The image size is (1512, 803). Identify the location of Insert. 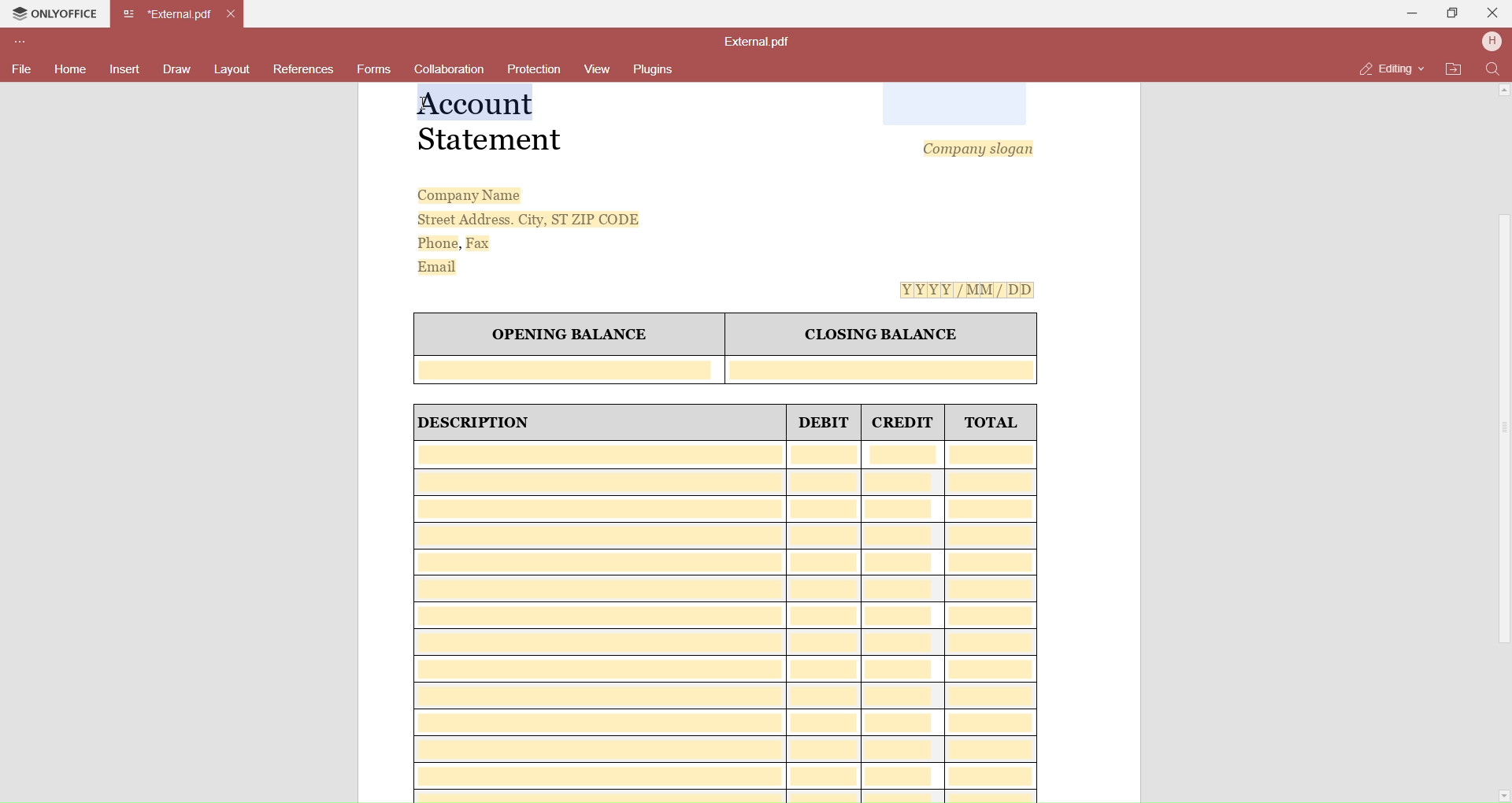
(127, 69).